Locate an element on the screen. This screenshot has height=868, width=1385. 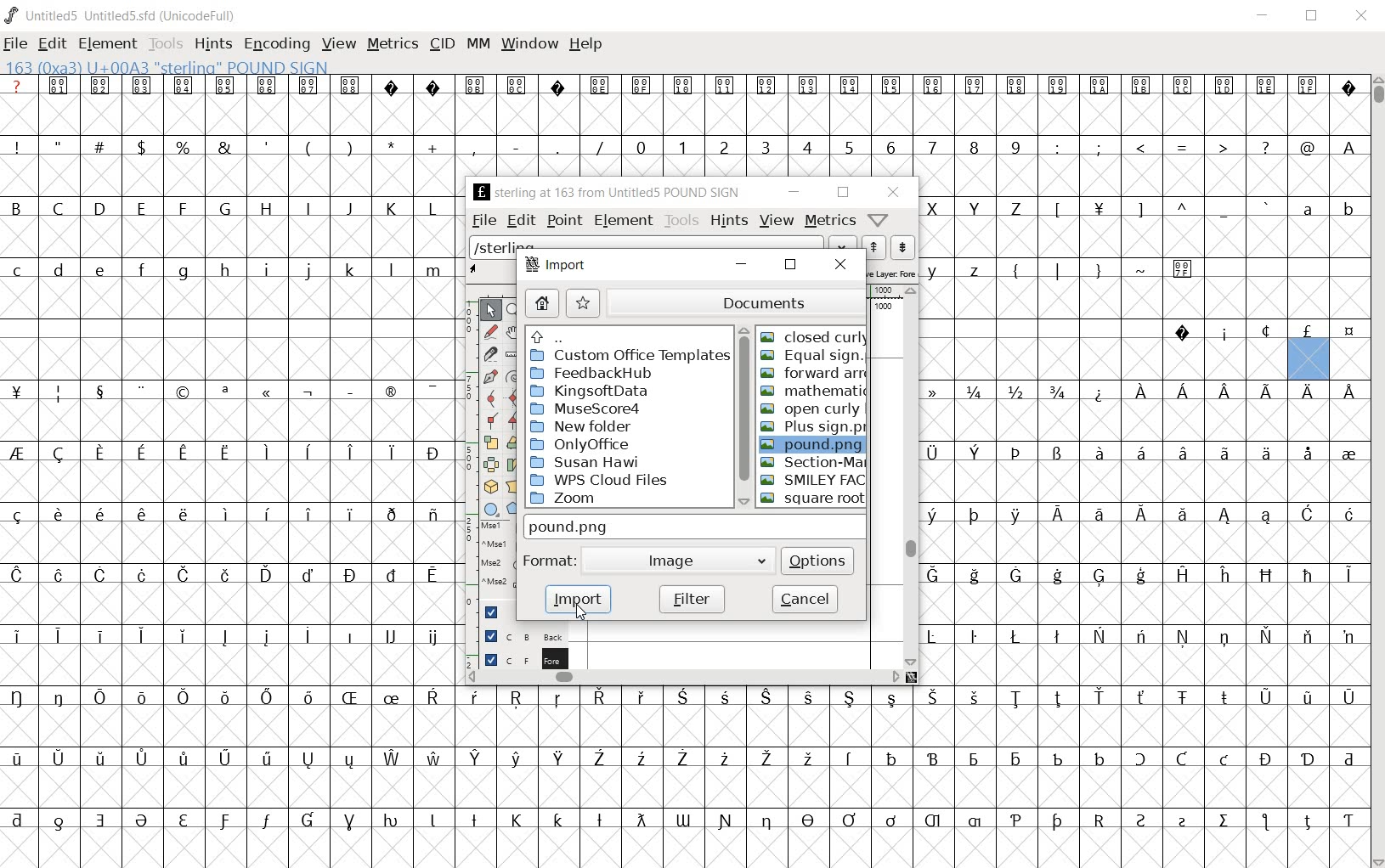
Symbol is located at coordinates (517, 699).